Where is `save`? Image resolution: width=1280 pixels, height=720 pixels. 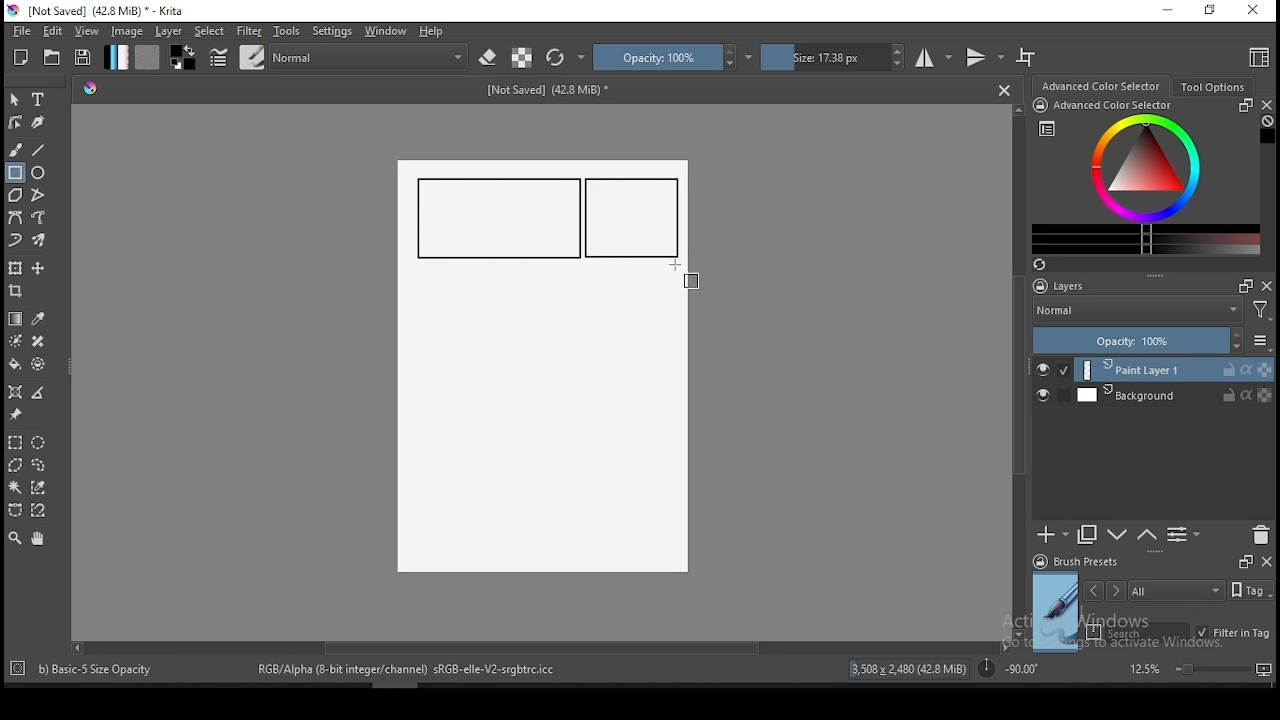 save is located at coordinates (83, 58).